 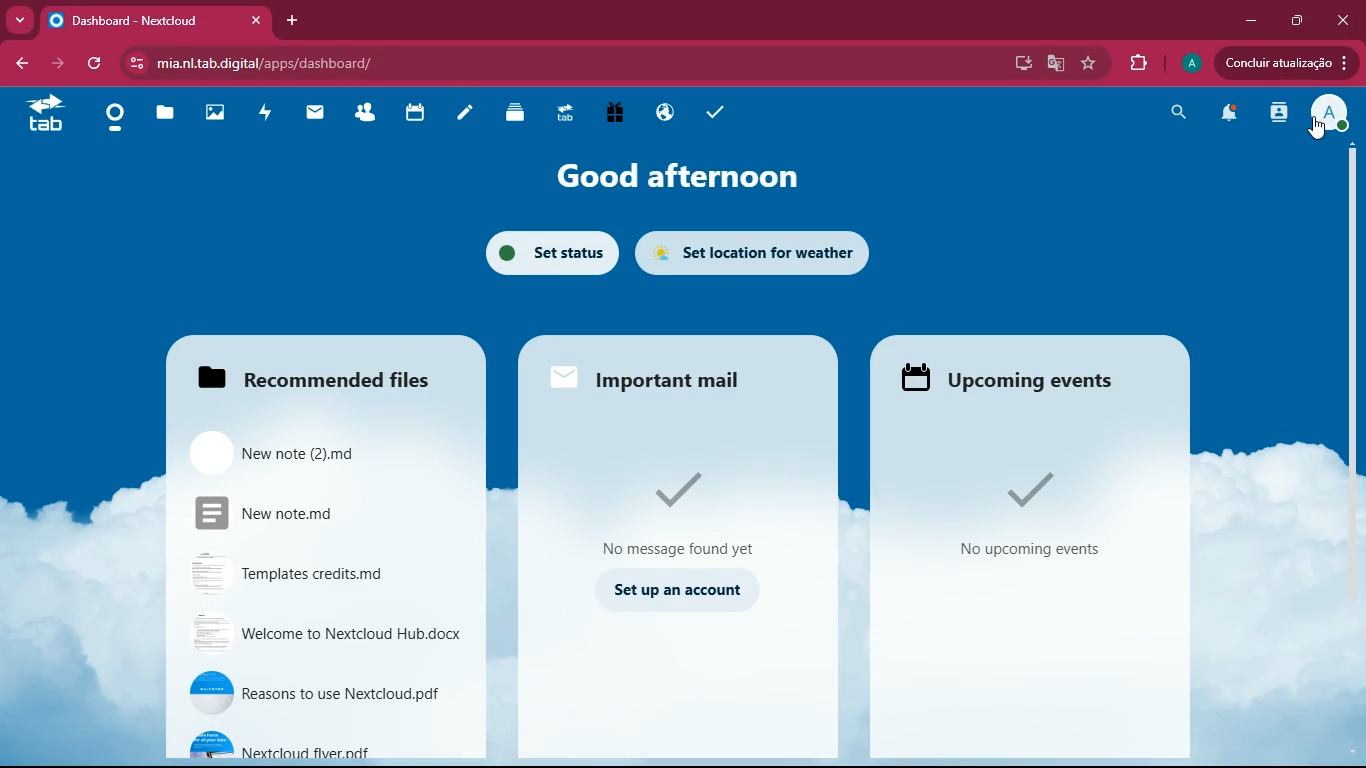 What do you see at coordinates (672, 171) in the screenshot?
I see `good afternoon ` at bounding box center [672, 171].